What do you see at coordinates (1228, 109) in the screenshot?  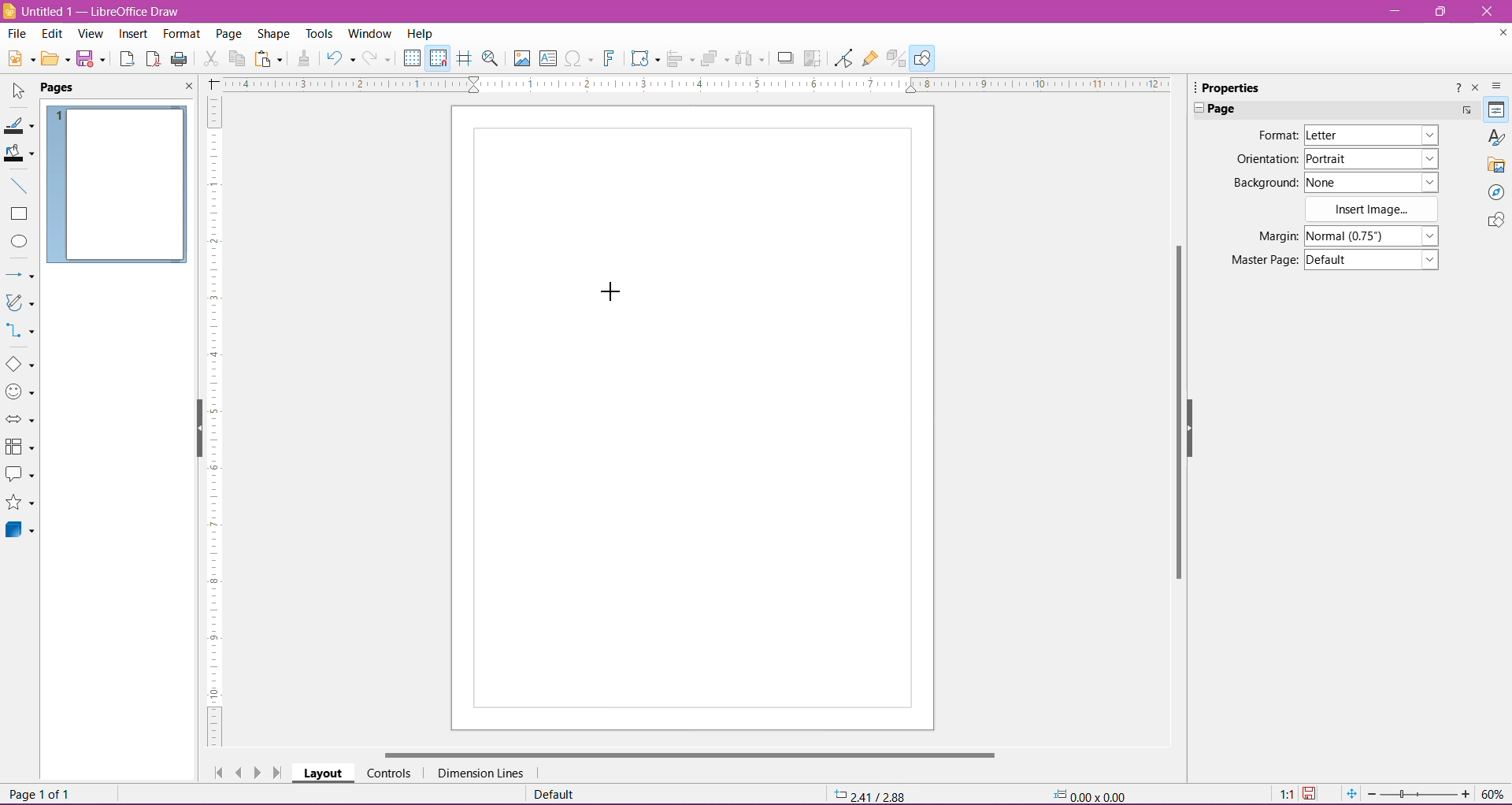 I see `Page` at bounding box center [1228, 109].